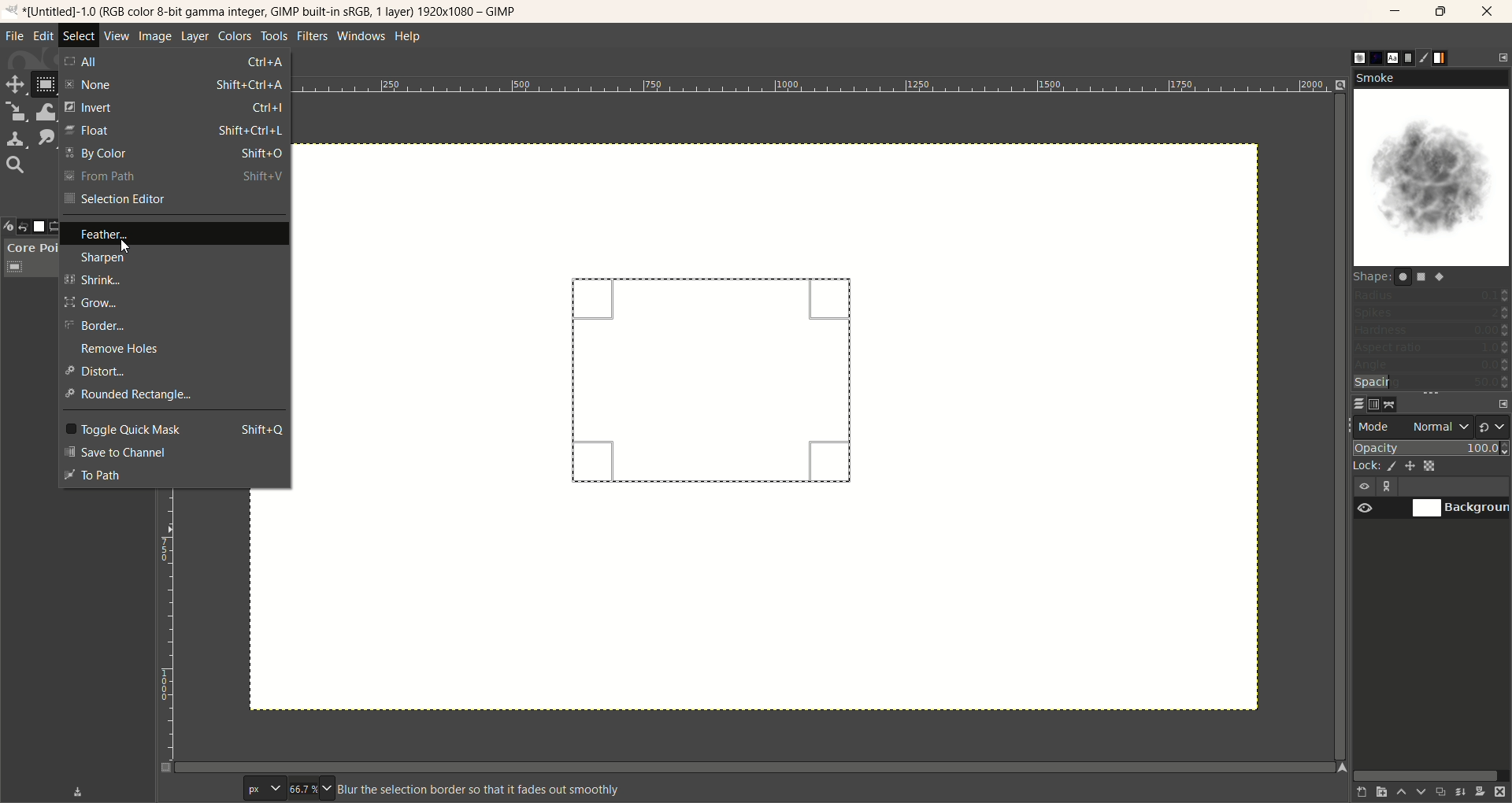 Image resolution: width=1512 pixels, height=803 pixels. I want to click on shrink, so click(172, 281).